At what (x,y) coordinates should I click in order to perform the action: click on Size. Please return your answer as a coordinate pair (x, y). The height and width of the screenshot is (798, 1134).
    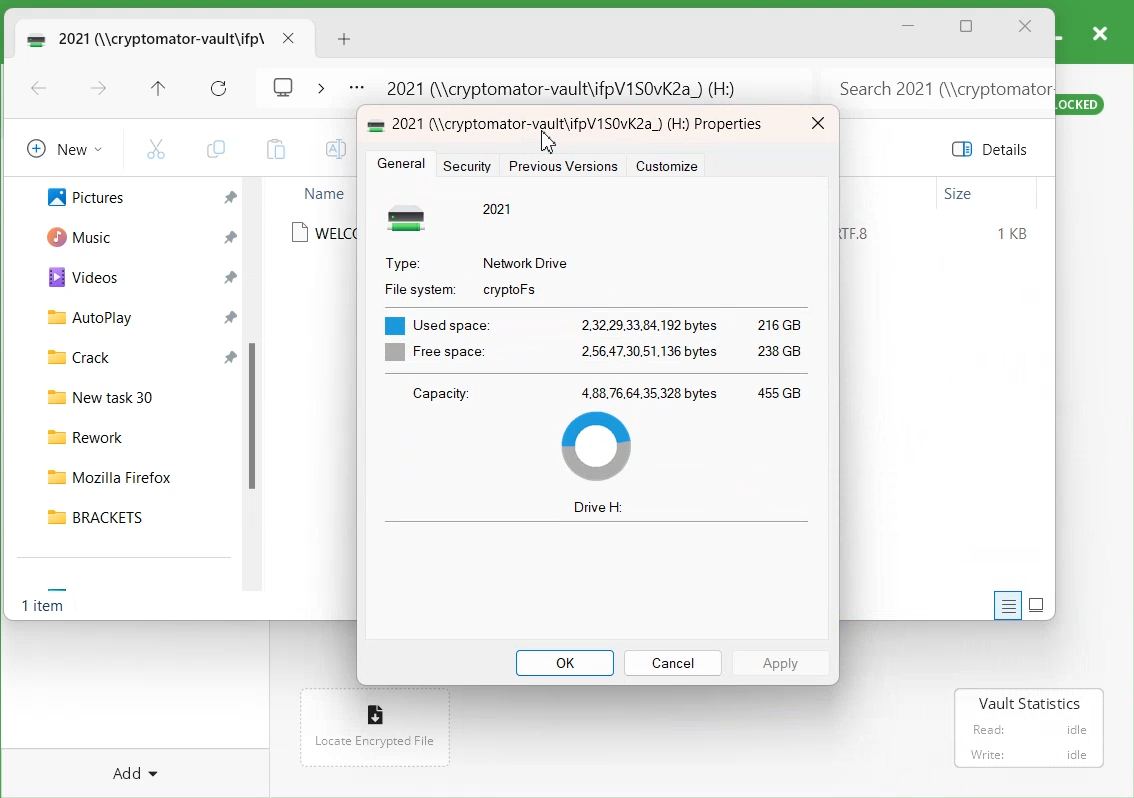
    Looking at the image, I should click on (959, 194).